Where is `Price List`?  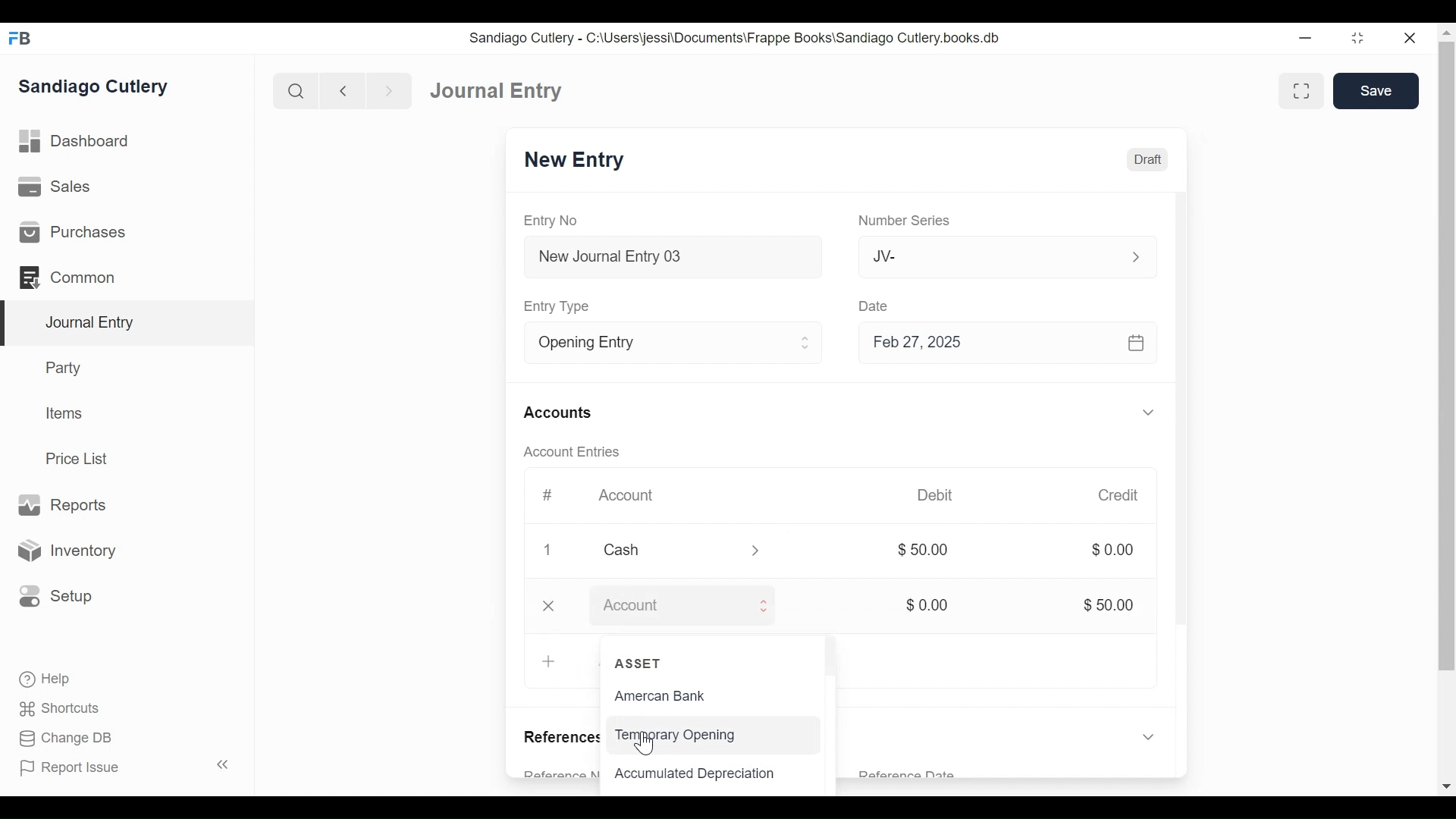 Price List is located at coordinates (80, 458).